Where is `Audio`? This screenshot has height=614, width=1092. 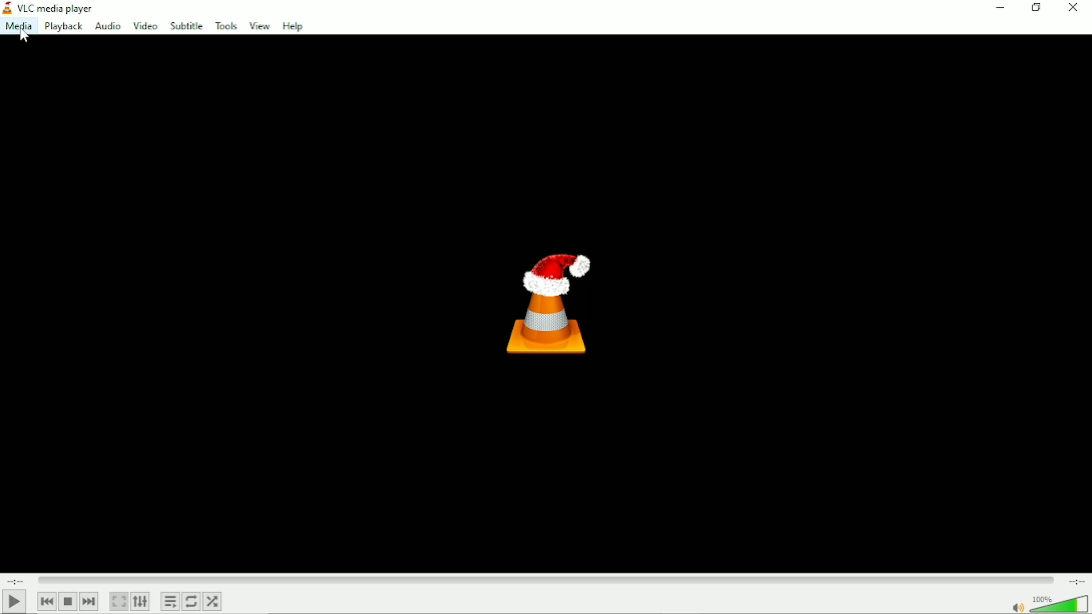 Audio is located at coordinates (107, 26).